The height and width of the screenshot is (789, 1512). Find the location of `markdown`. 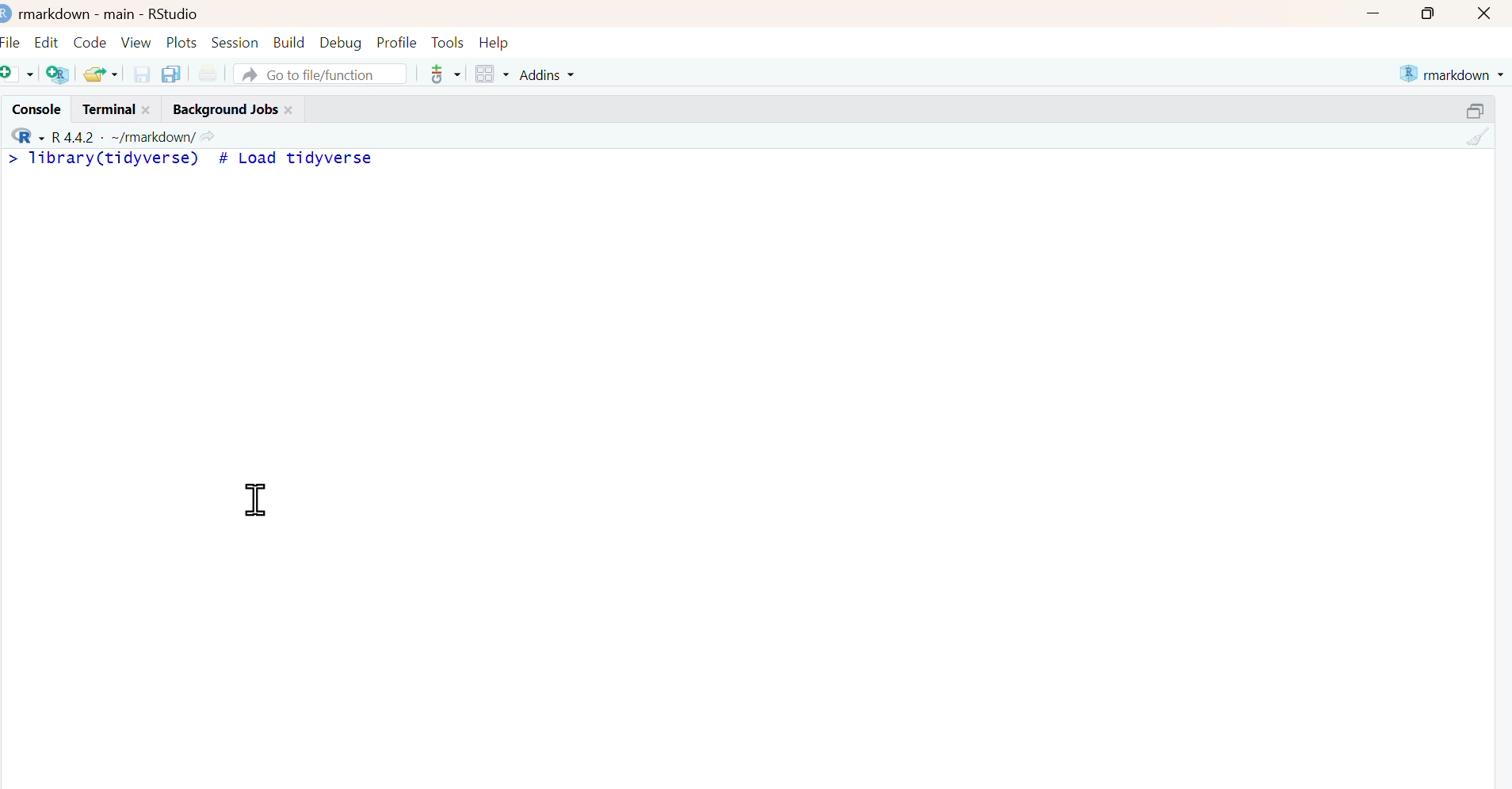

markdown is located at coordinates (1454, 72).